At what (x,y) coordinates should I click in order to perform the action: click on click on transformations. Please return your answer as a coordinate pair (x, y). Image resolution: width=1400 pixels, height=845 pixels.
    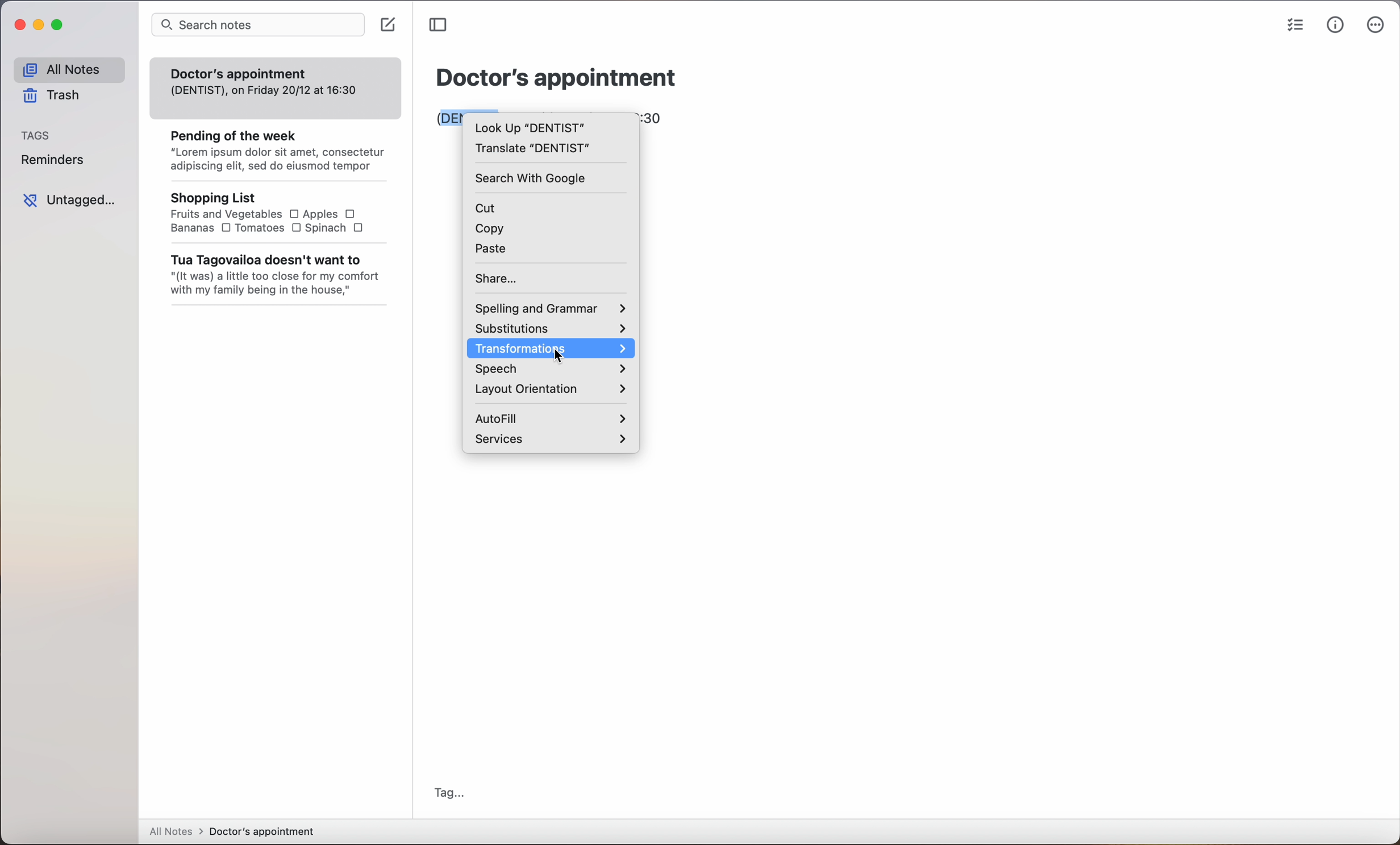
    Looking at the image, I should click on (551, 350).